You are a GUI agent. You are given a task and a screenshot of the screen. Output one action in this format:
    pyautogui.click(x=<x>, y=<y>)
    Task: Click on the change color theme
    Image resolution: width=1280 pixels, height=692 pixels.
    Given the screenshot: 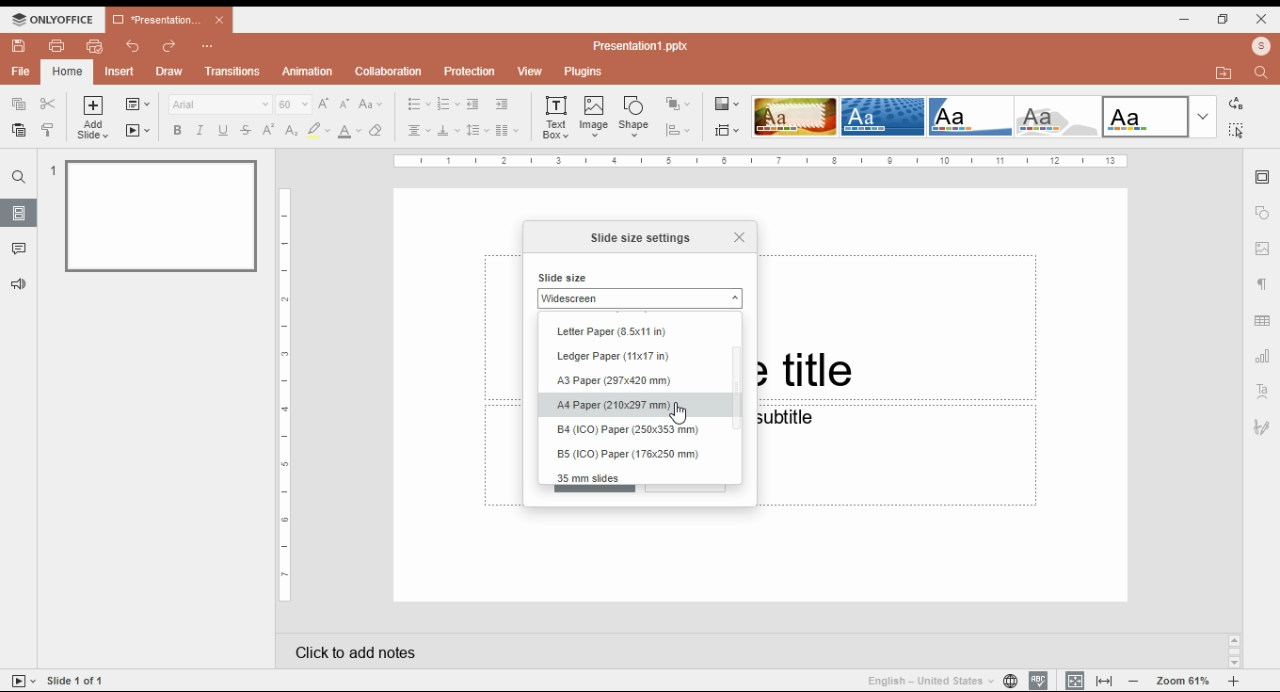 What is the action you would take?
    pyautogui.click(x=727, y=104)
    